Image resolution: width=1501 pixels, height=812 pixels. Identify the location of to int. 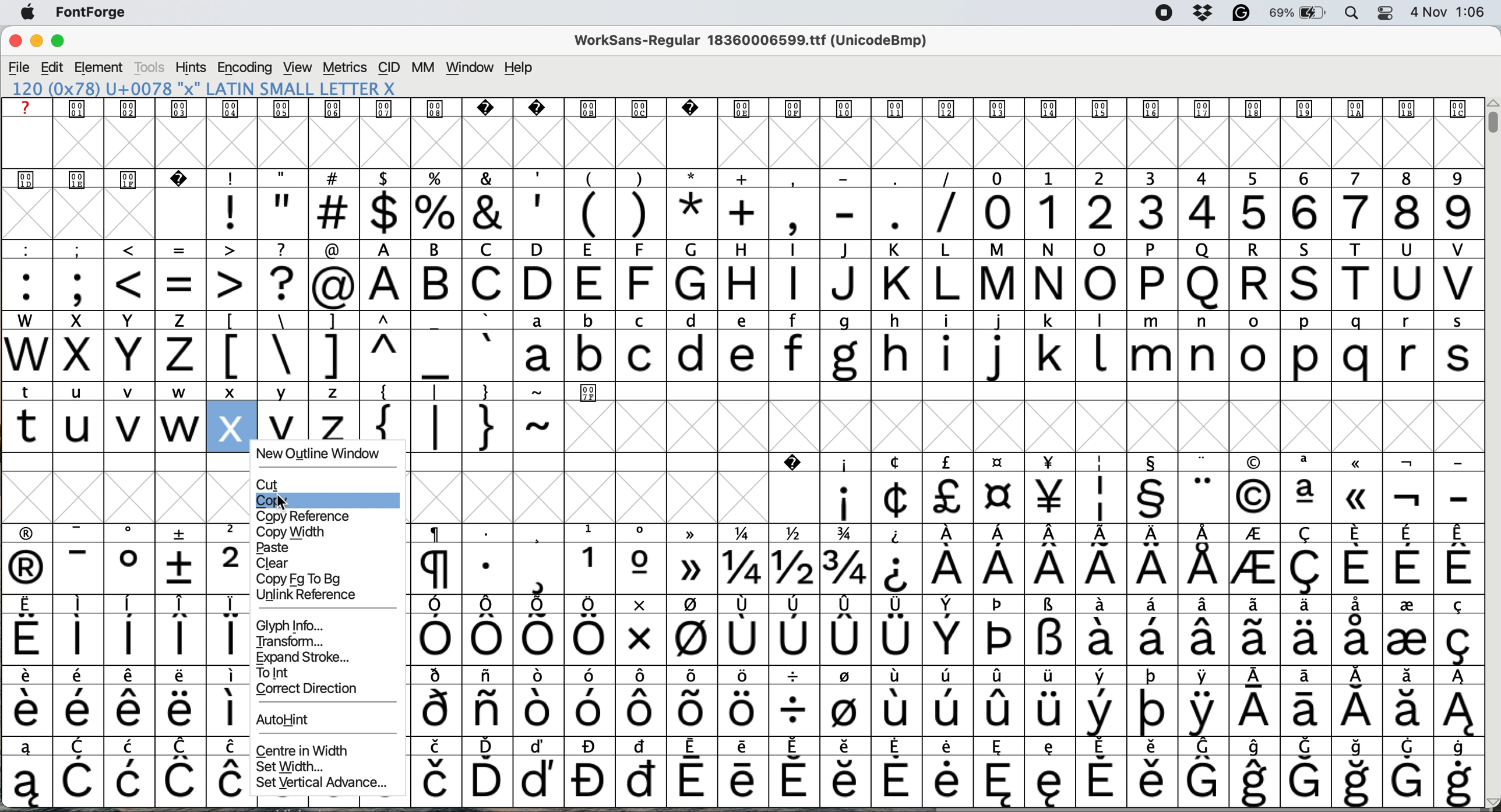
(283, 672).